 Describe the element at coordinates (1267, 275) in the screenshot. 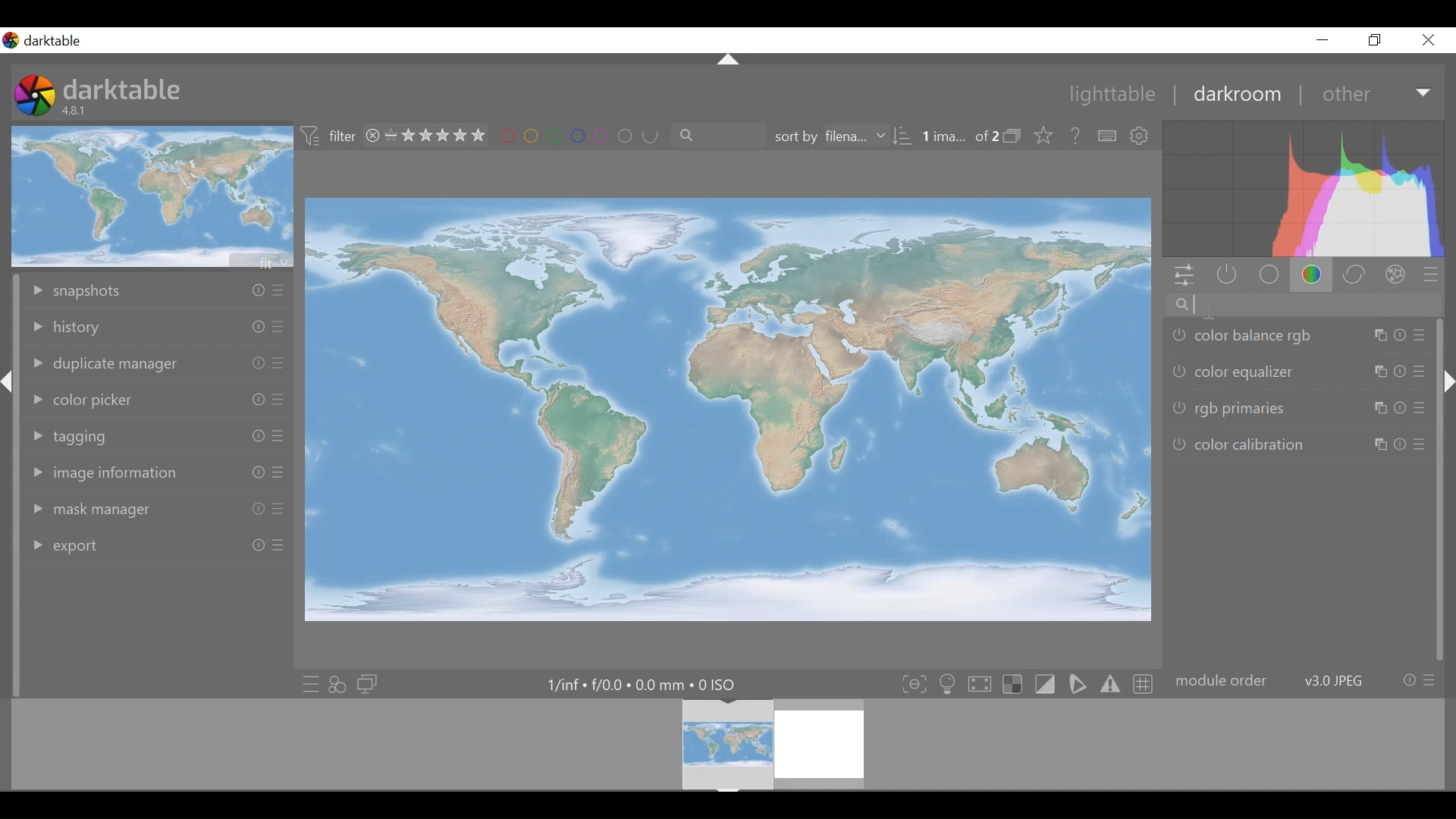

I see `base` at that location.